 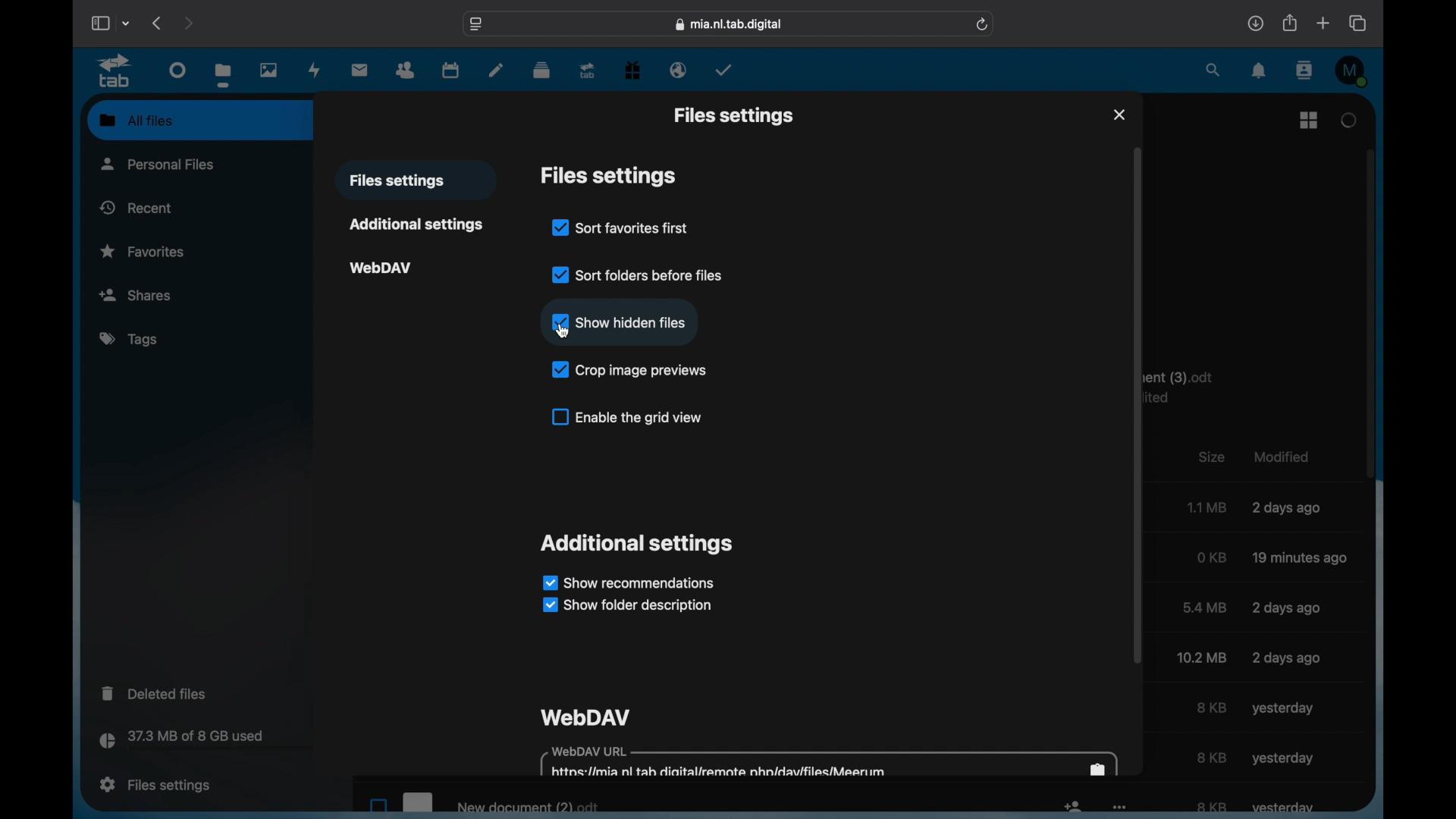 What do you see at coordinates (1282, 708) in the screenshot?
I see `yesterday` at bounding box center [1282, 708].